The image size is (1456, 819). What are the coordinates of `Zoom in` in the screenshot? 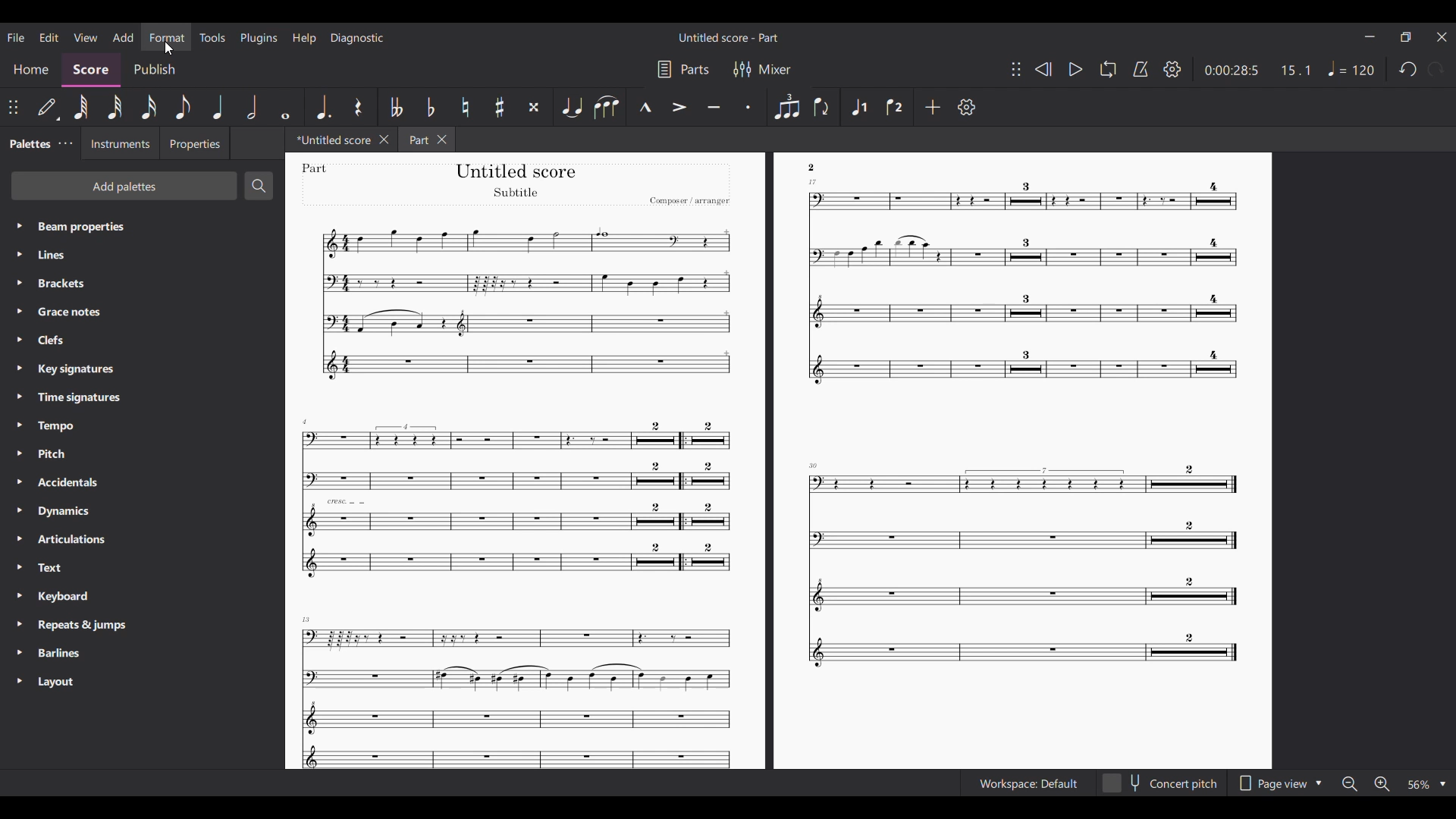 It's located at (1382, 784).